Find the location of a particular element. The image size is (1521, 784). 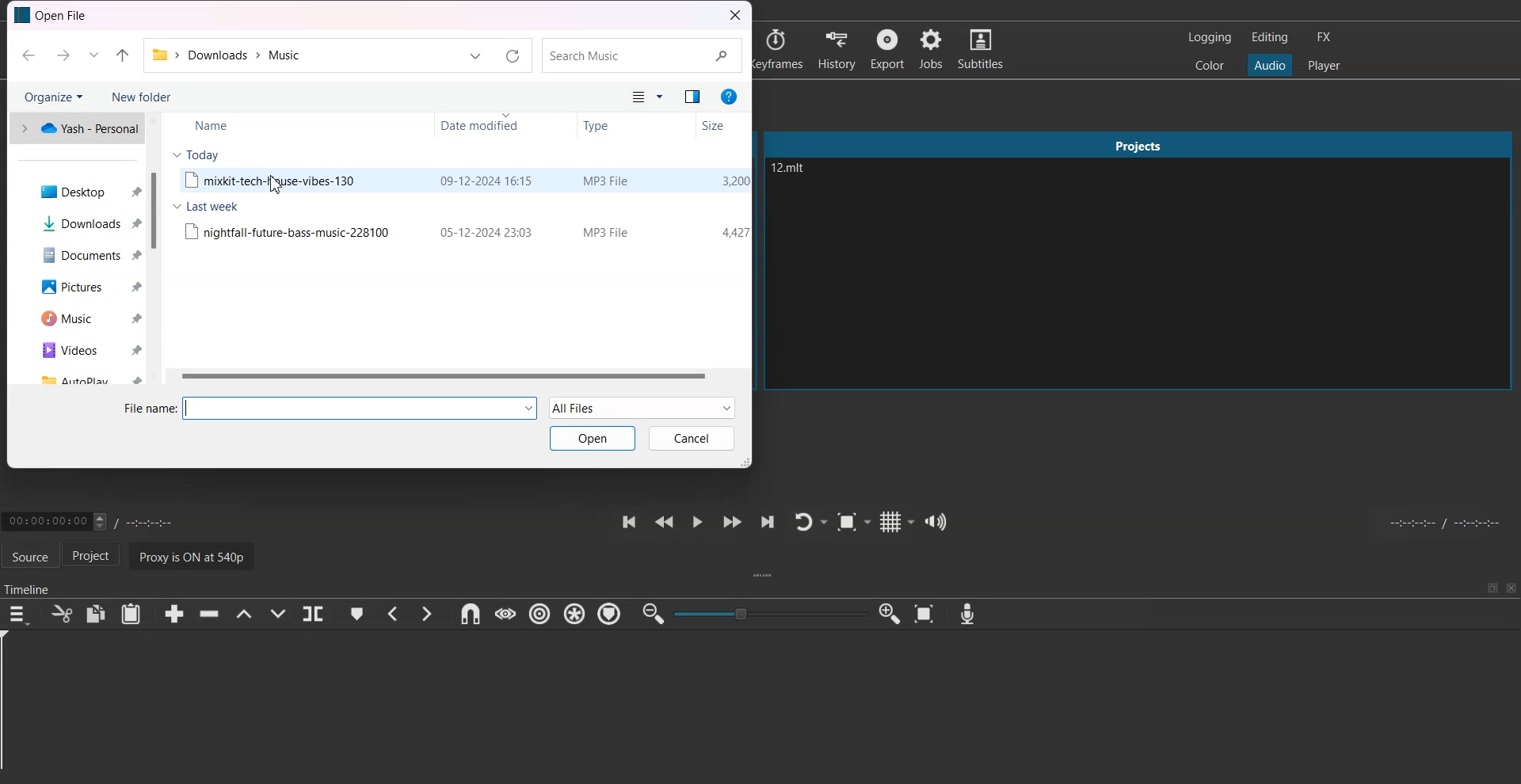

Scrub while dragging is located at coordinates (505, 614).